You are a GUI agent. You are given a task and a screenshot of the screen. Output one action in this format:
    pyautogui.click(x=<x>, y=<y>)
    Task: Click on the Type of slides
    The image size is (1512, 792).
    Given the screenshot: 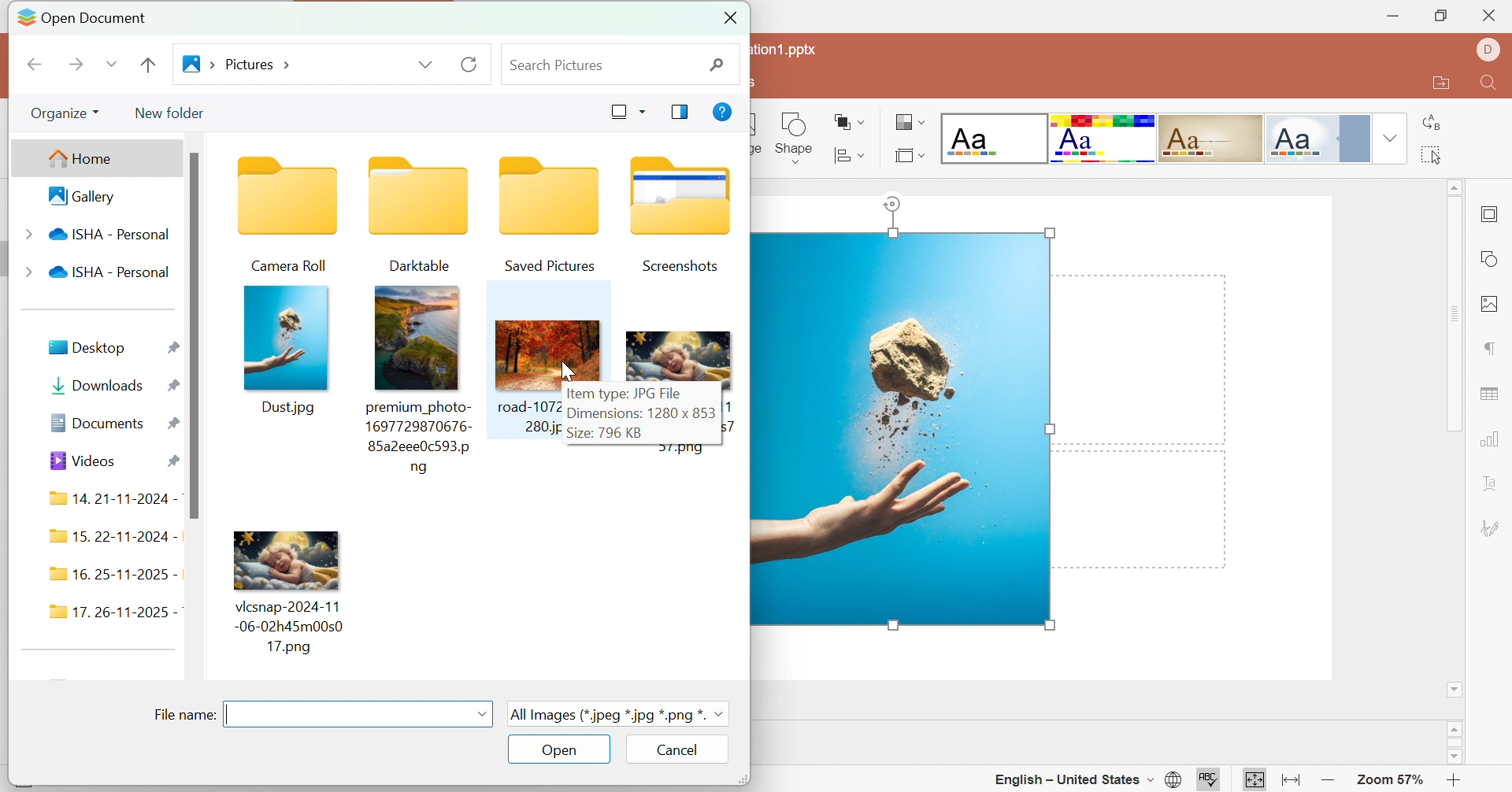 What is the action you would take?
    pyautogui.click(x=1152, y=138)
    